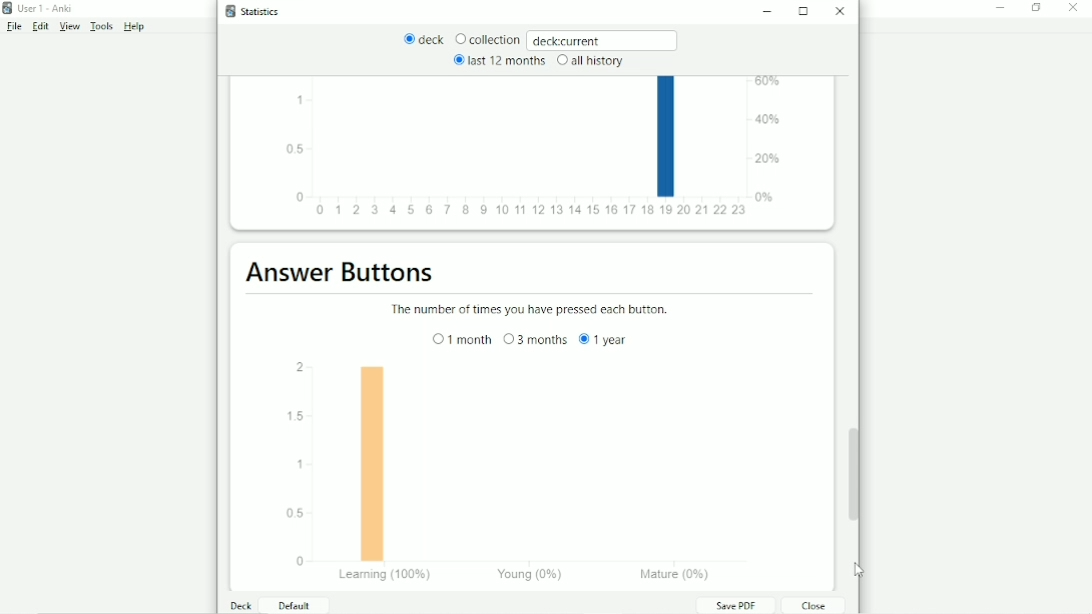 This screenshot has width=1092, height=614. I want to click on deck, so click(424, 40).